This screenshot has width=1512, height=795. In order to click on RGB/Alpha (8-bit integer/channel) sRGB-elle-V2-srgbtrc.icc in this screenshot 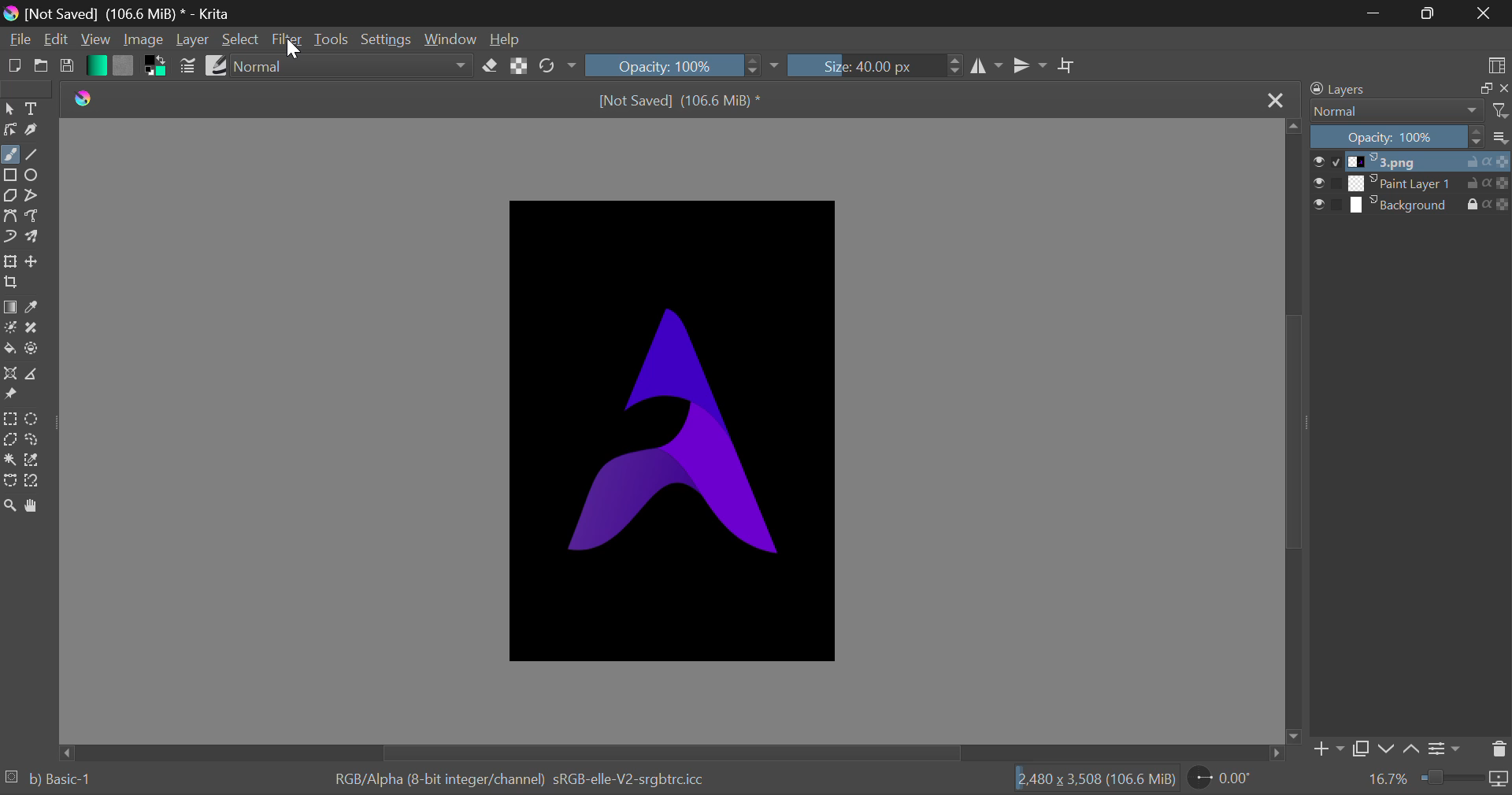, I will do `click(532, 780)`.